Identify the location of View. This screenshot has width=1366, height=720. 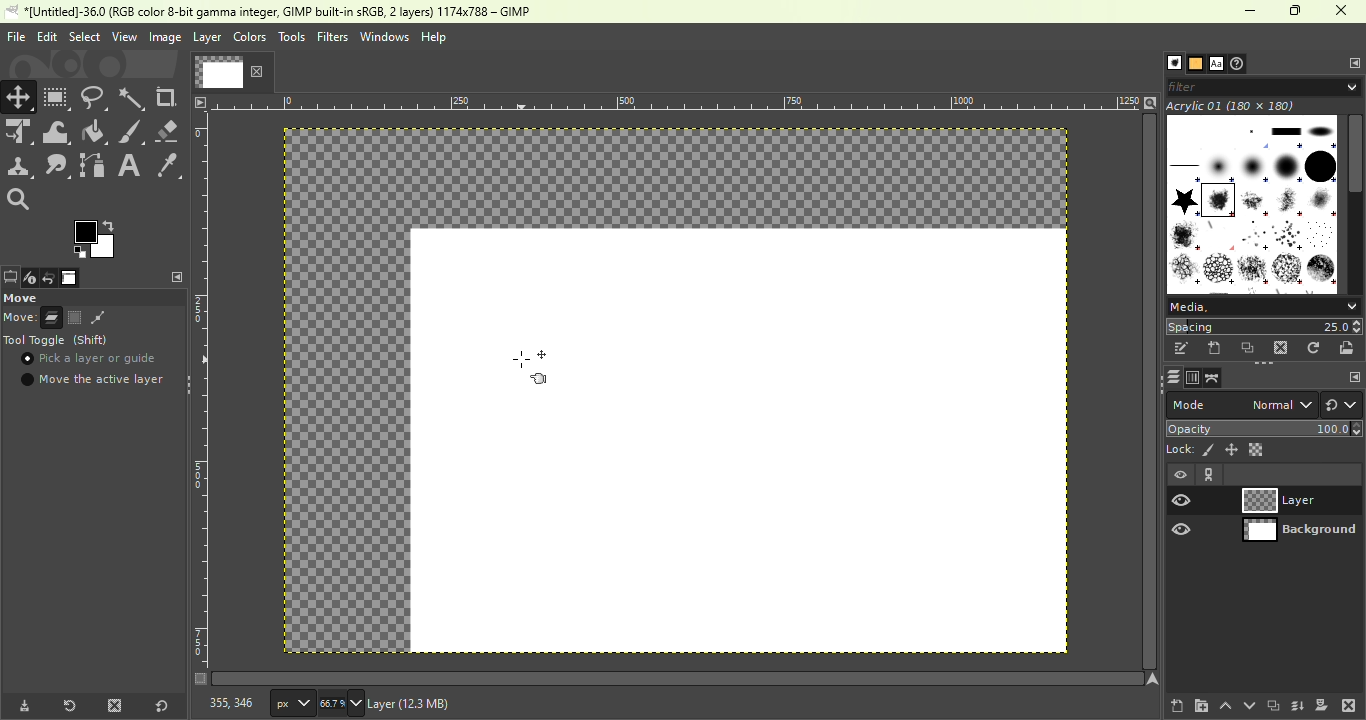
(122, 36).